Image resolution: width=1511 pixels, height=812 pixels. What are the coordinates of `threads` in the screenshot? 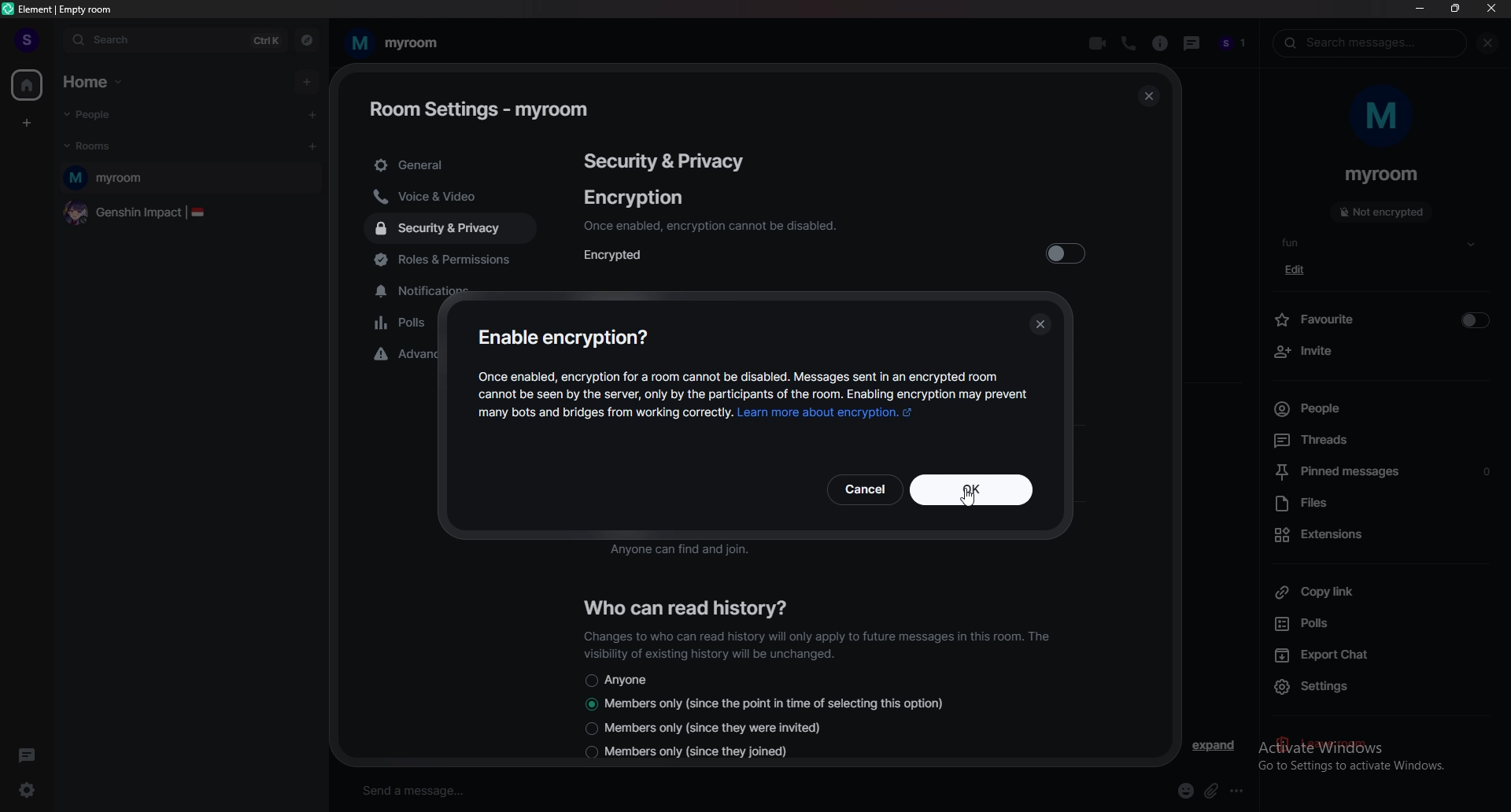 It's located at (1380, 440).